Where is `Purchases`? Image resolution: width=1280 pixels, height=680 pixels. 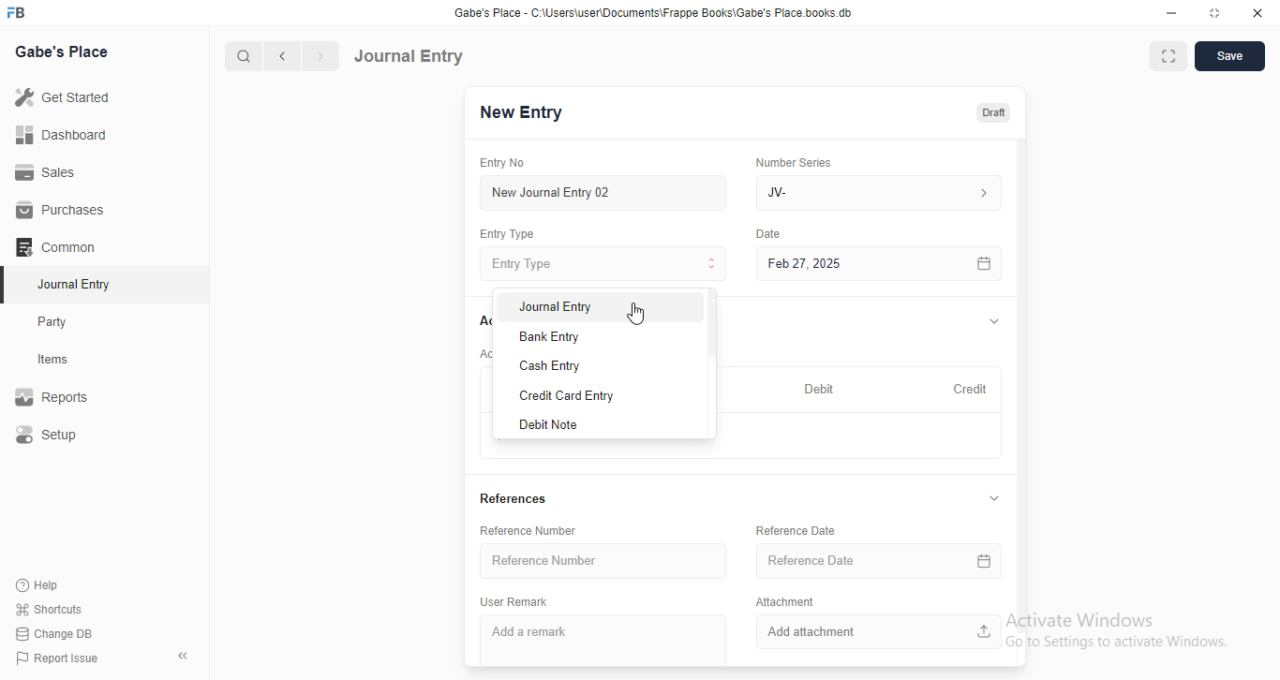
Purchases is located at coordinates (56, 208).